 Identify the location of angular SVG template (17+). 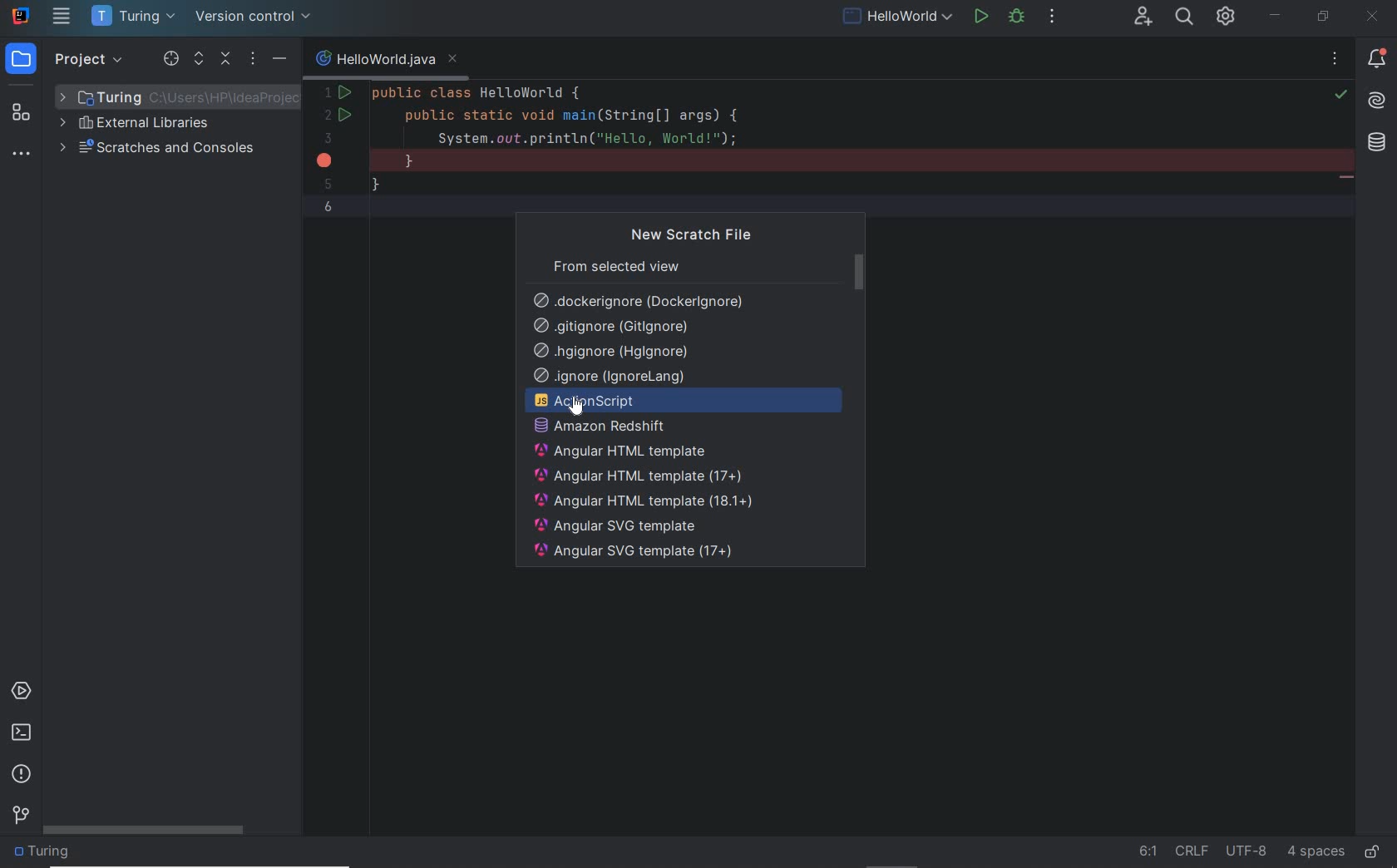
(635, 554).